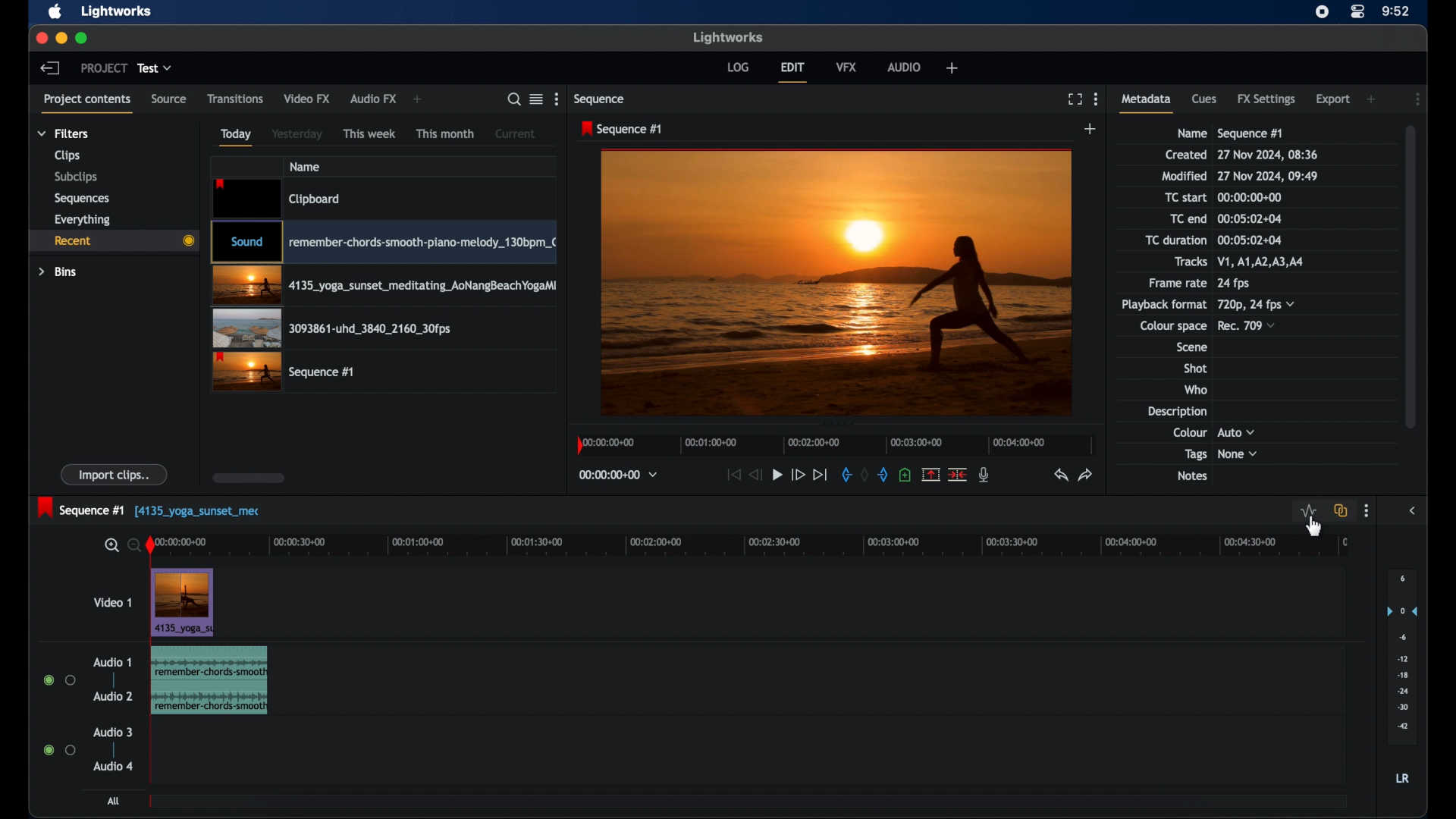  I want to click on video fx, so click(308, 98).